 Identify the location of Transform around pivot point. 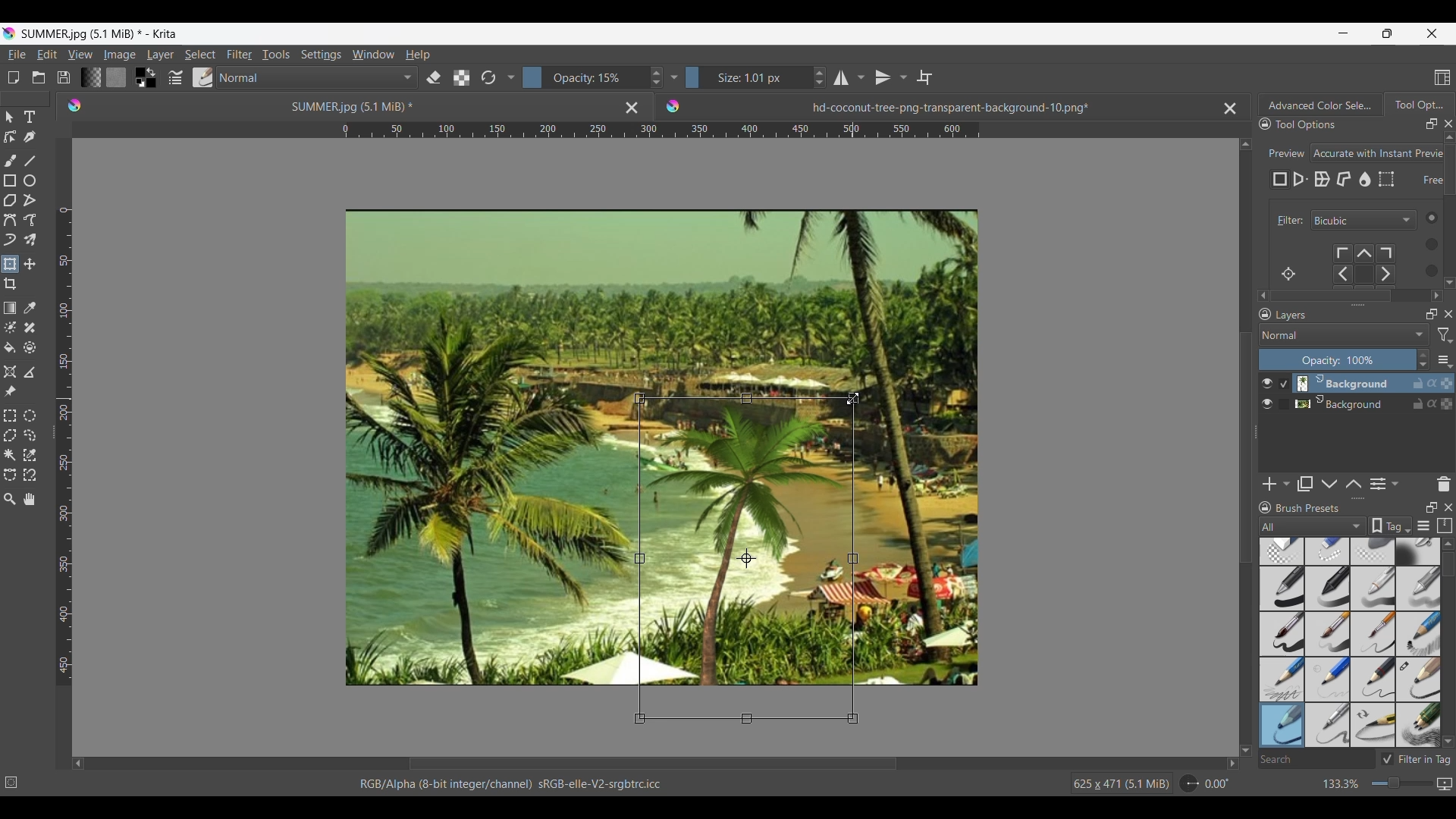
(1288, 274).